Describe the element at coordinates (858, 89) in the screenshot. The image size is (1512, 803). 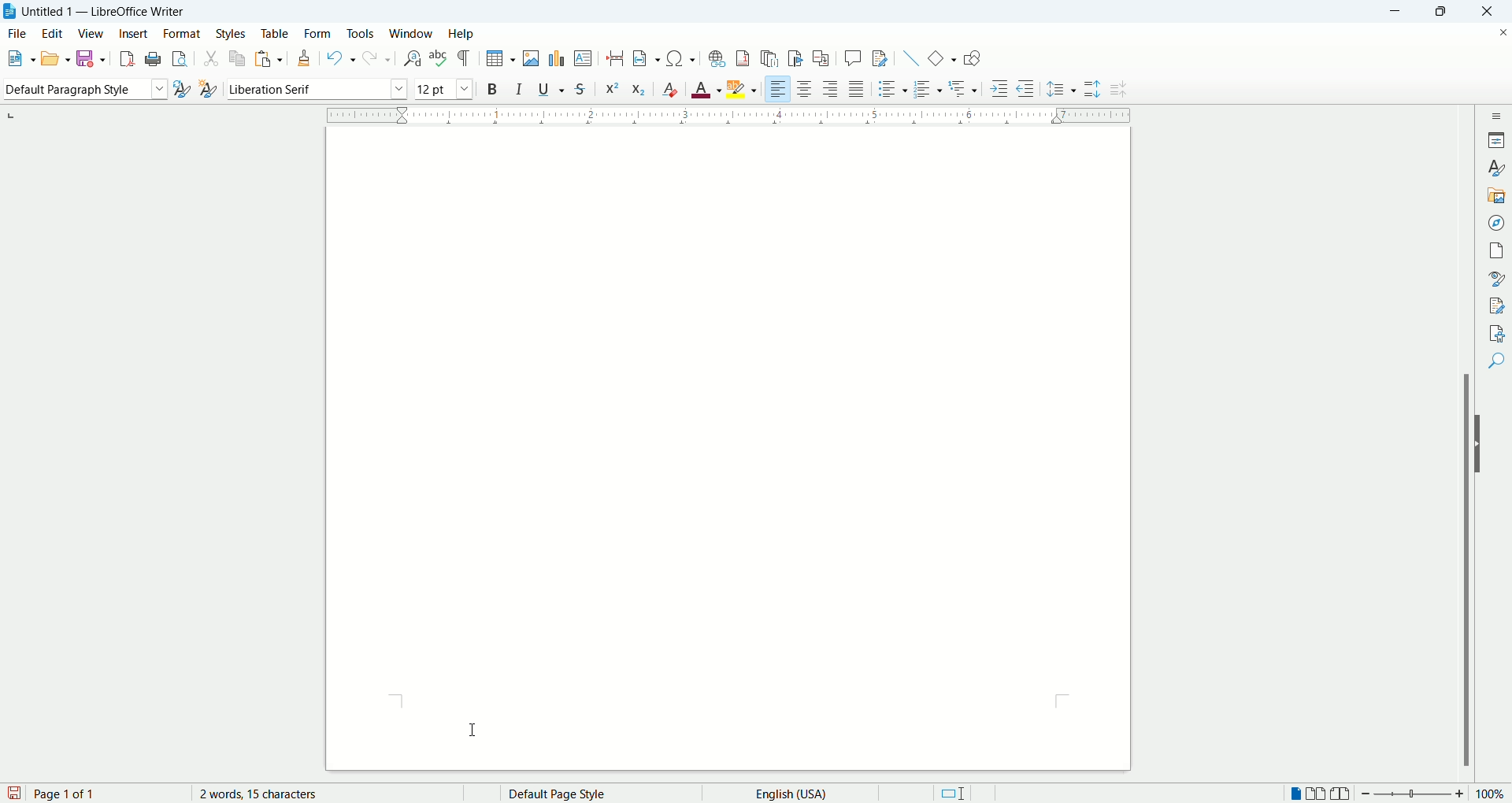
I see `justified` at that location.